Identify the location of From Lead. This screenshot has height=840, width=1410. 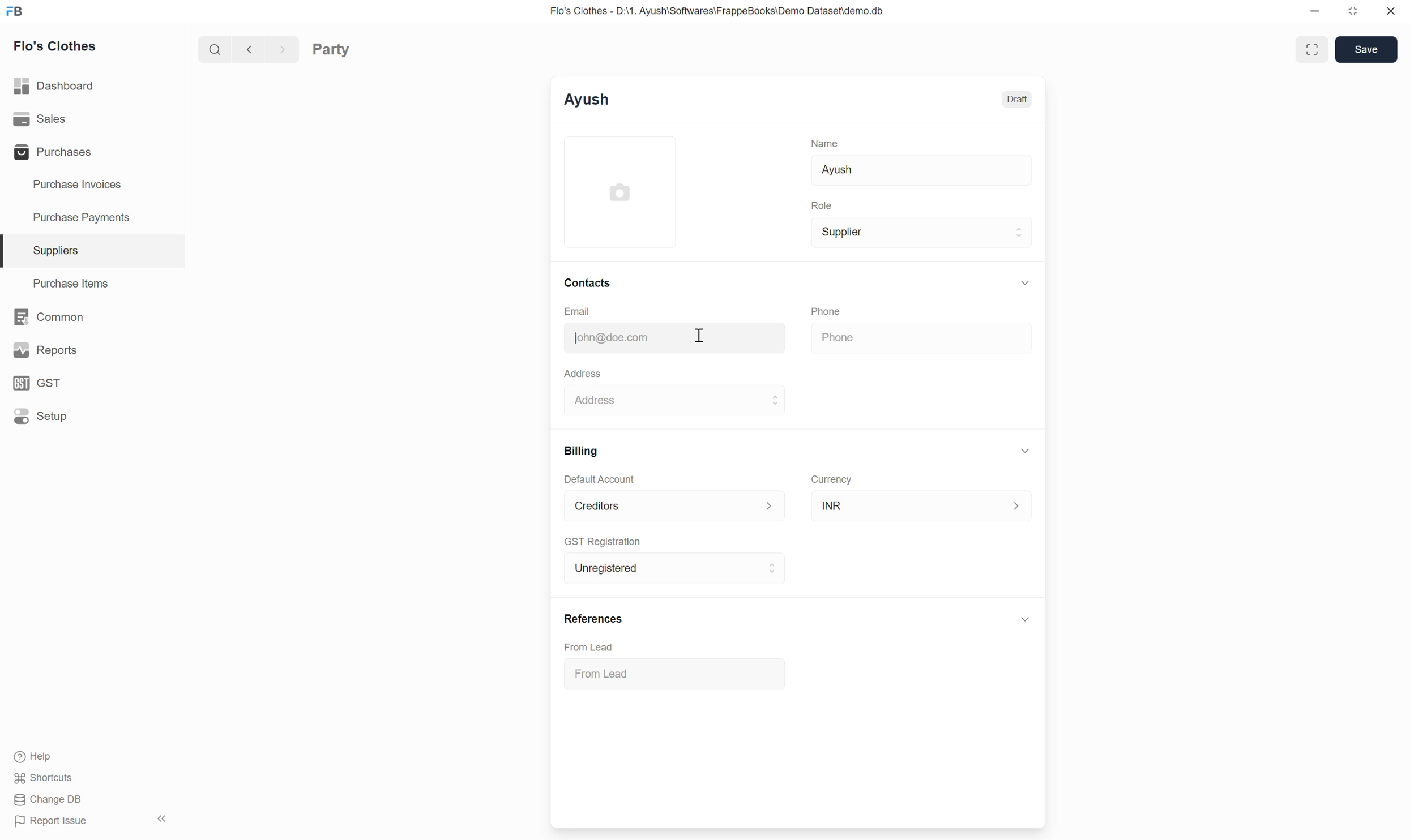
(588, 647).